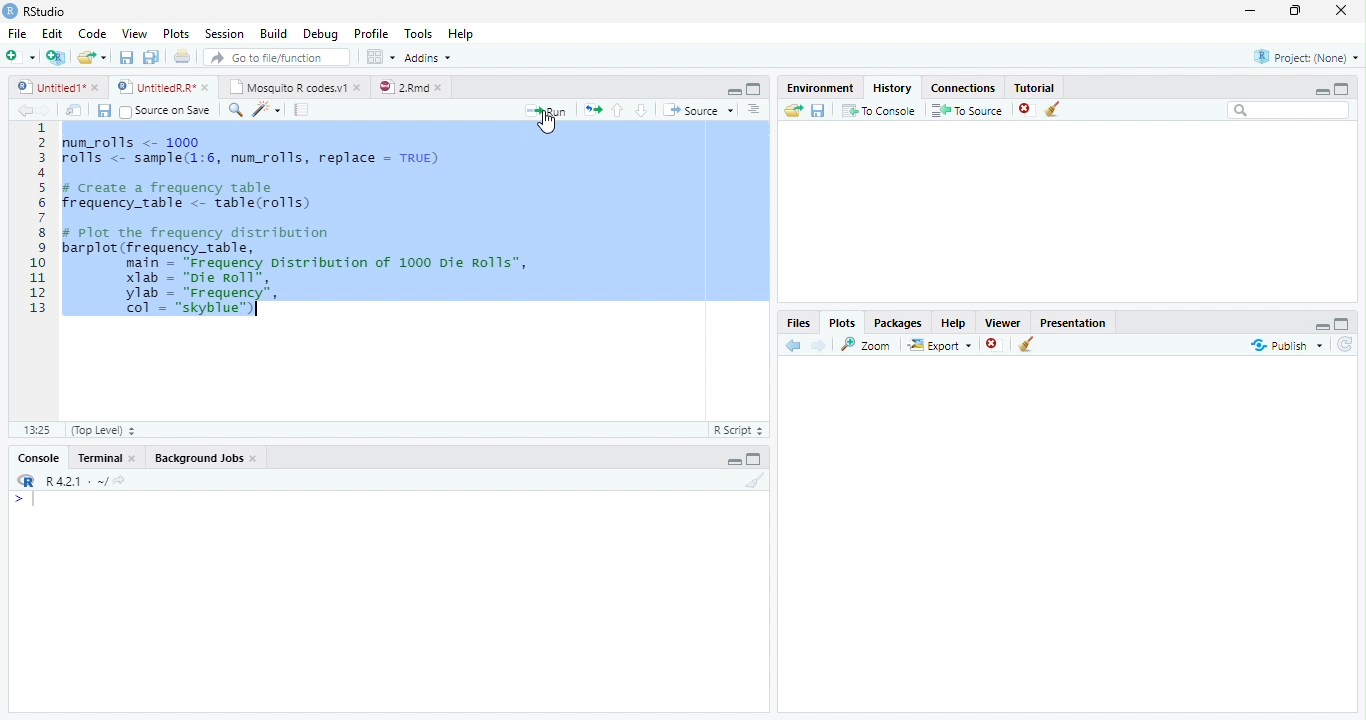  What do you see at coordinates (22, 110) in the screenshot?
I see `Previous Source Location` at bounding box center [22, 110].